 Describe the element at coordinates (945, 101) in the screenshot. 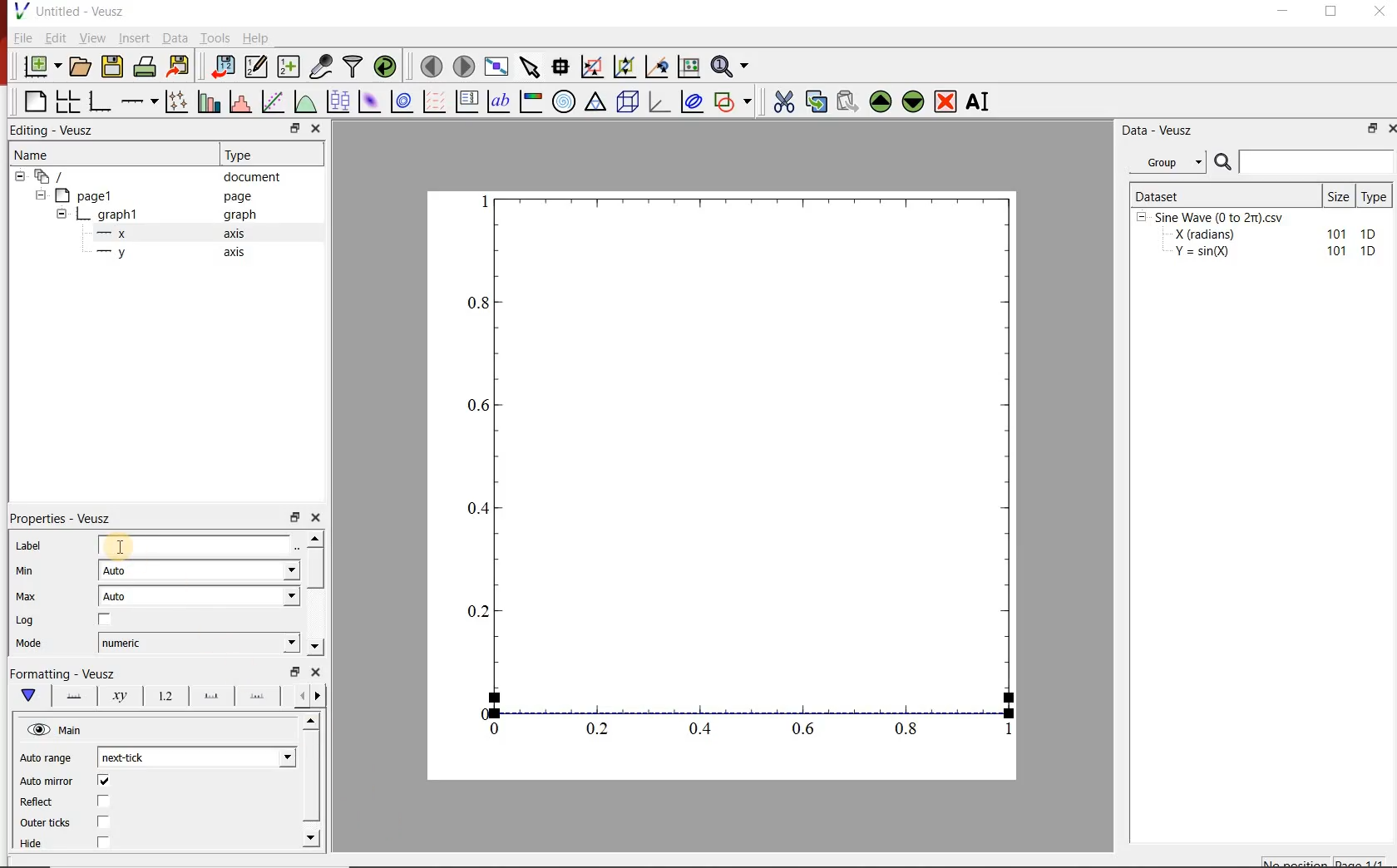

I see `remove` at that location.